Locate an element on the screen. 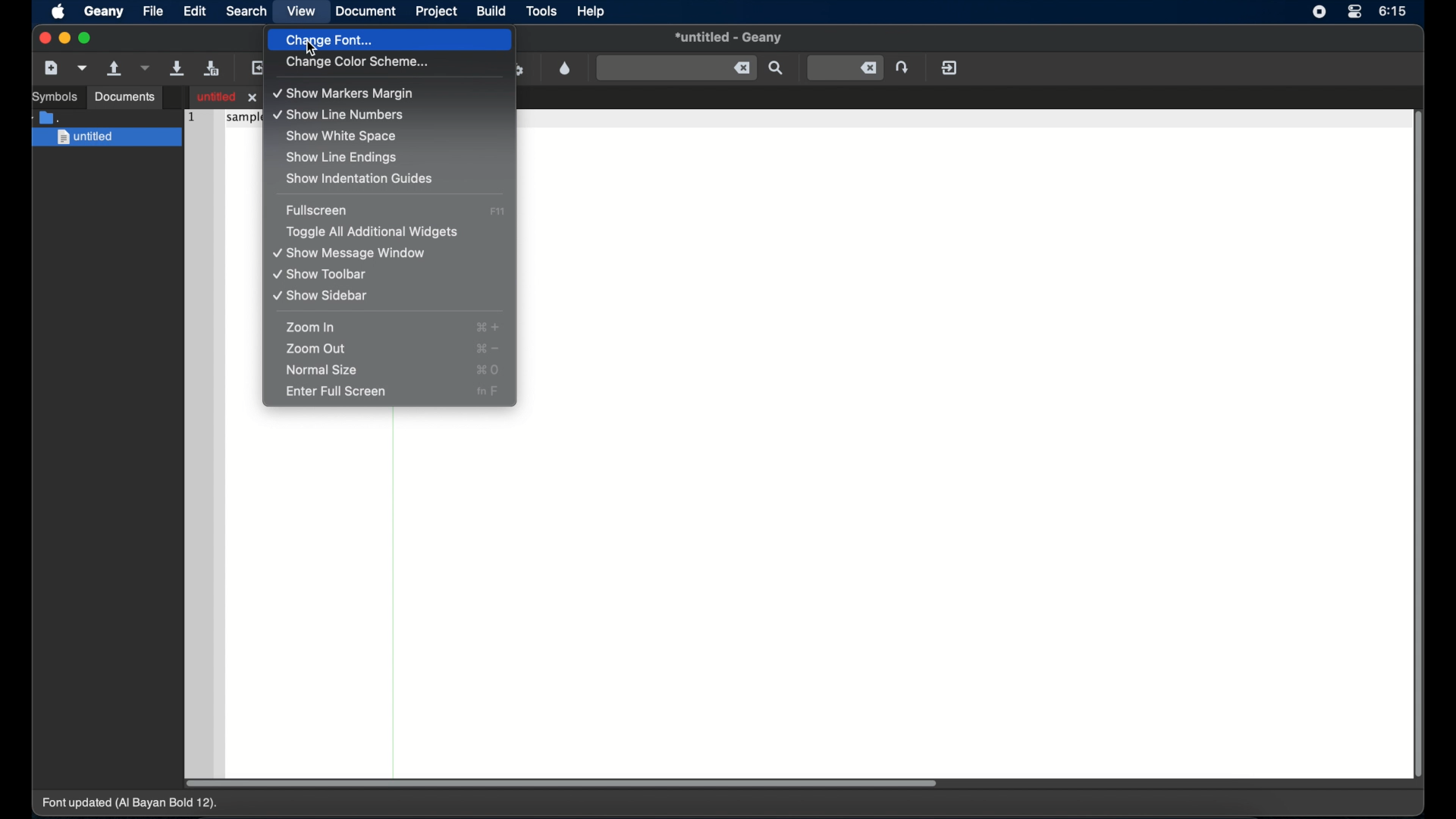 This screenshot has height=819, width=1456. show line numbers is located at coordinates (340, 115).